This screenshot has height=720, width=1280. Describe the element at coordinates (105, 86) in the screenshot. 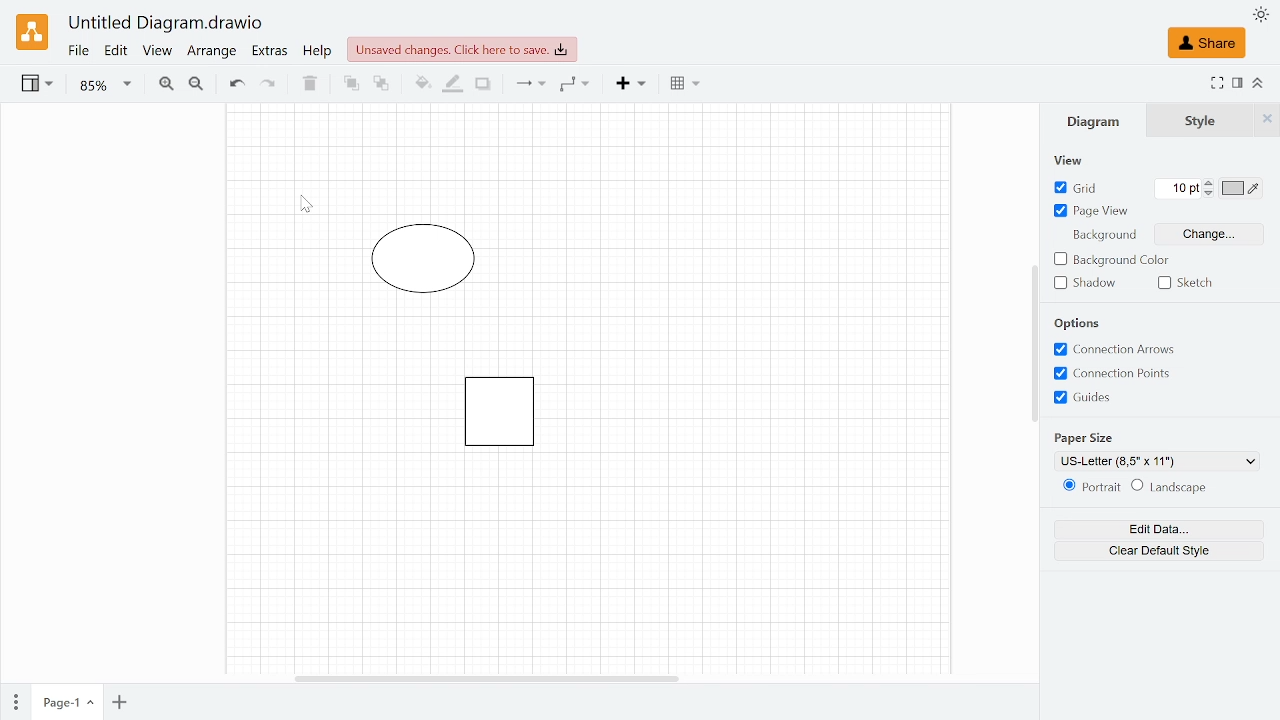

I see `Zoom` at that location.